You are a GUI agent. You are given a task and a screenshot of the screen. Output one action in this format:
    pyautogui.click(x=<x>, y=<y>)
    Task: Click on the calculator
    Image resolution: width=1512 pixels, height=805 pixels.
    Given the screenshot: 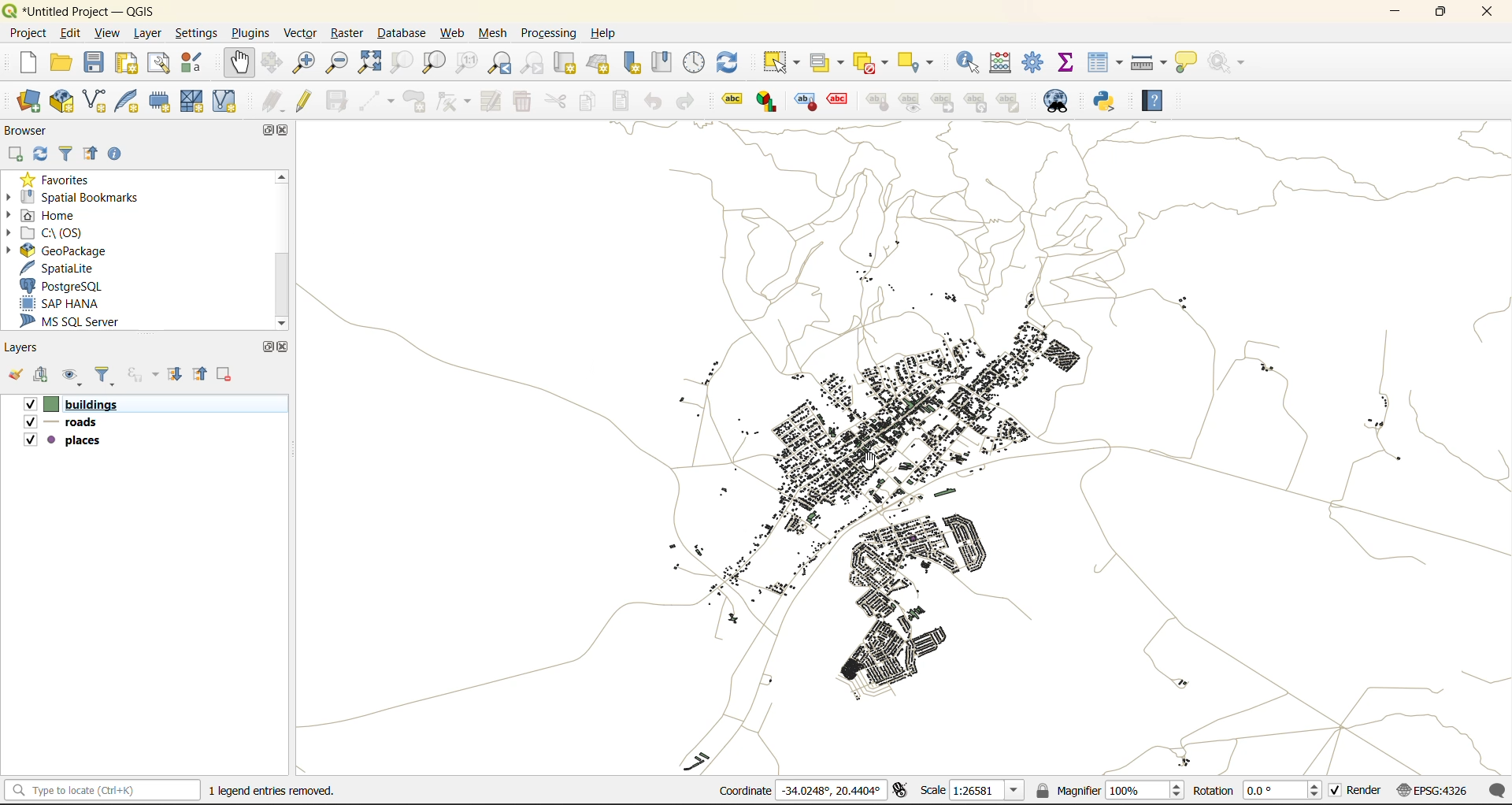 What is the action you would take?
    pyautogui.click(x=1002, y=63)
    